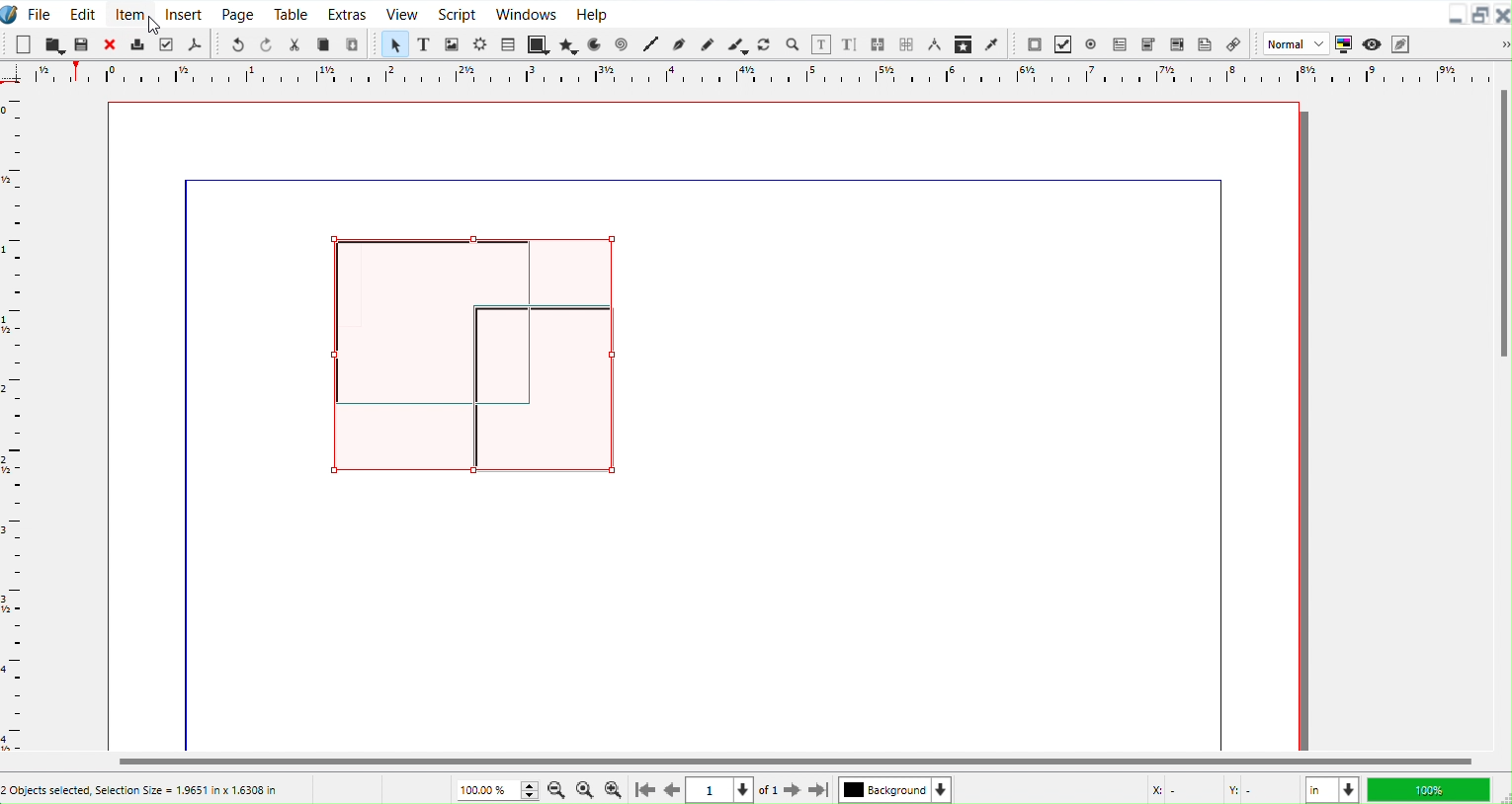 This screenshot has width=1512, height=804. Describe the element at coordinates (472, 356) in the screenshot. I see `Shapes are selected` at that location.